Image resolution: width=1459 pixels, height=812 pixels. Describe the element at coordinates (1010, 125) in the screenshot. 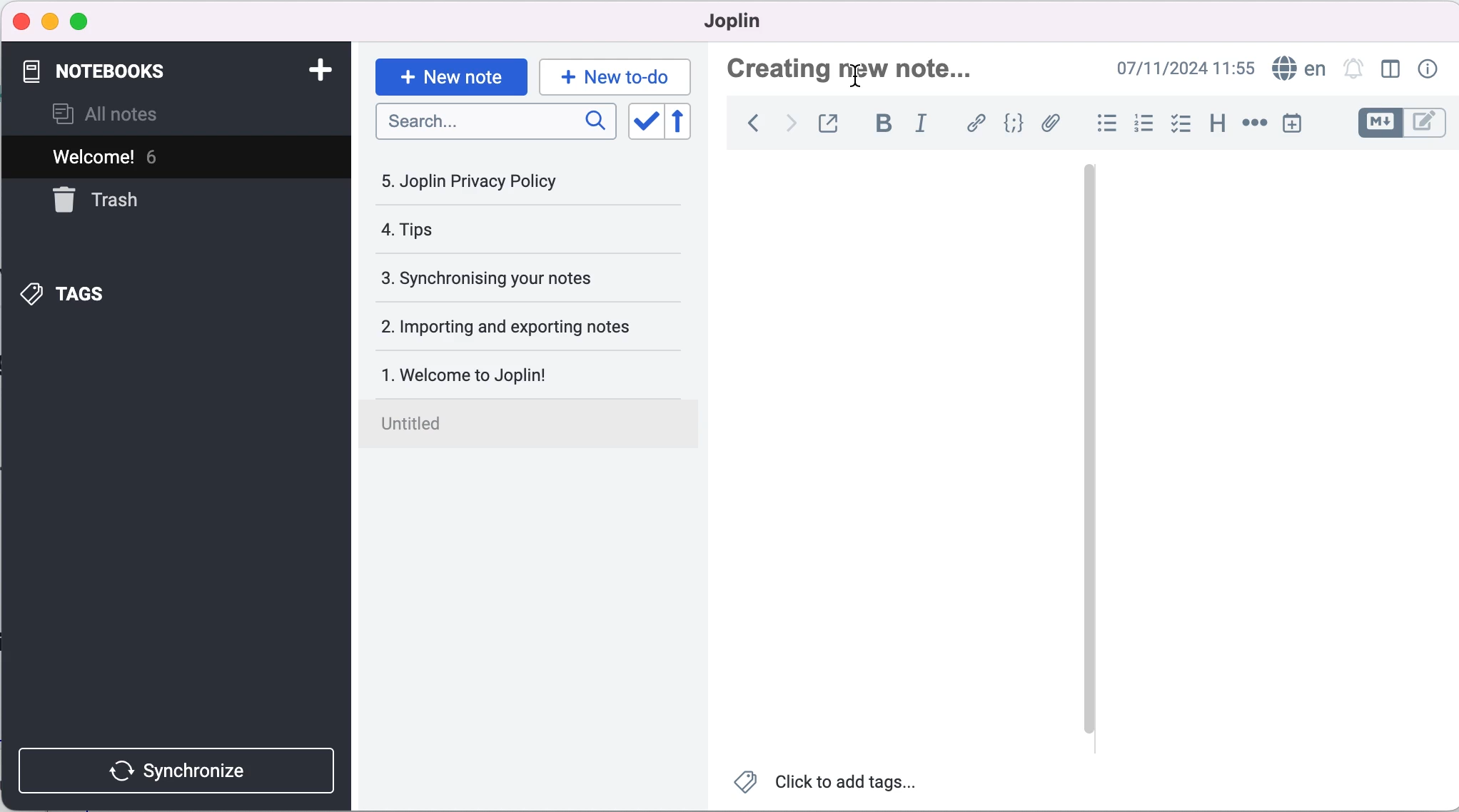

I see `code` at that location.